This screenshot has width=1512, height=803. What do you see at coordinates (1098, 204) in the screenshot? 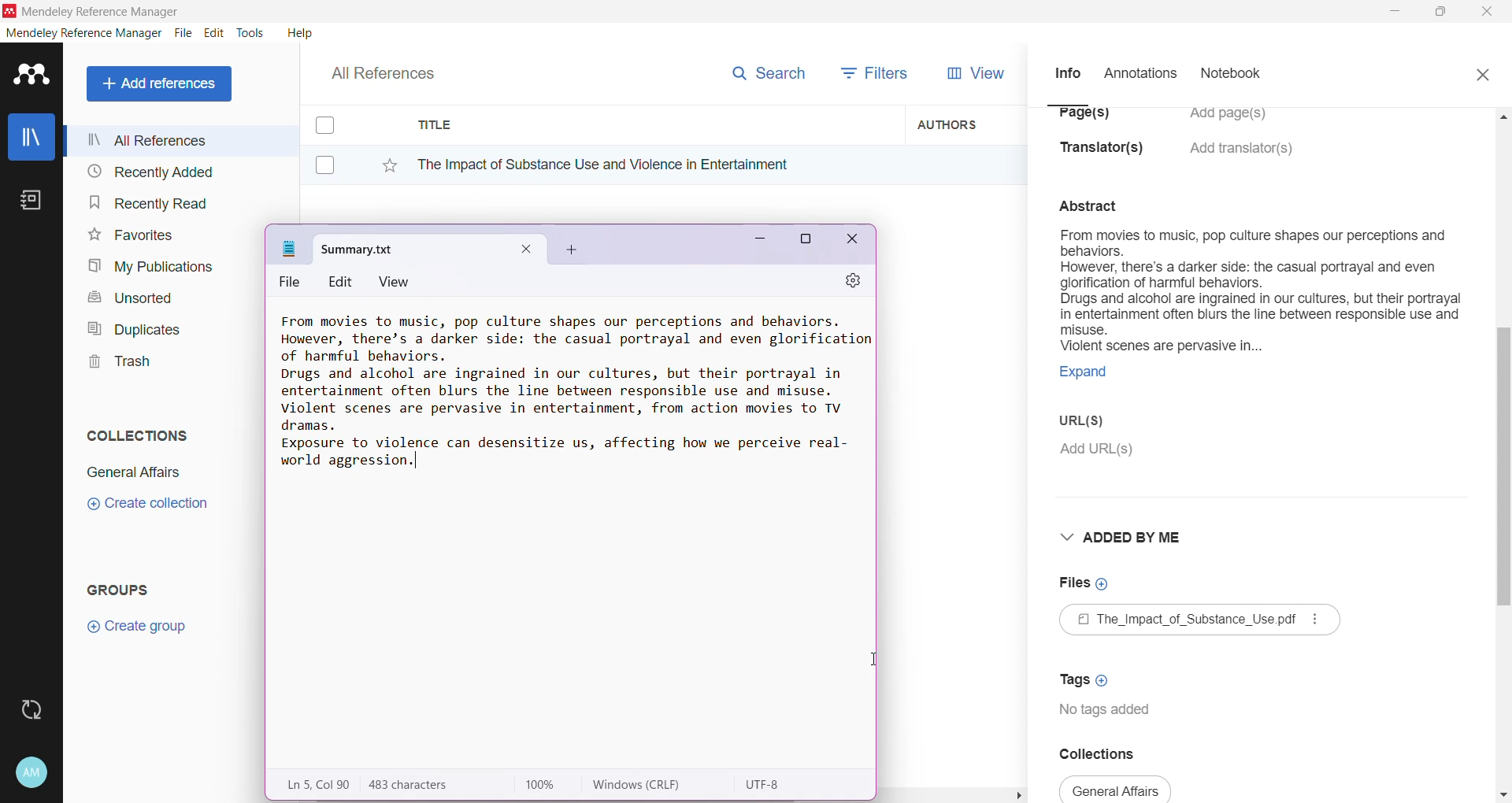
I see `abstract` at bounding box center [1098, 204].